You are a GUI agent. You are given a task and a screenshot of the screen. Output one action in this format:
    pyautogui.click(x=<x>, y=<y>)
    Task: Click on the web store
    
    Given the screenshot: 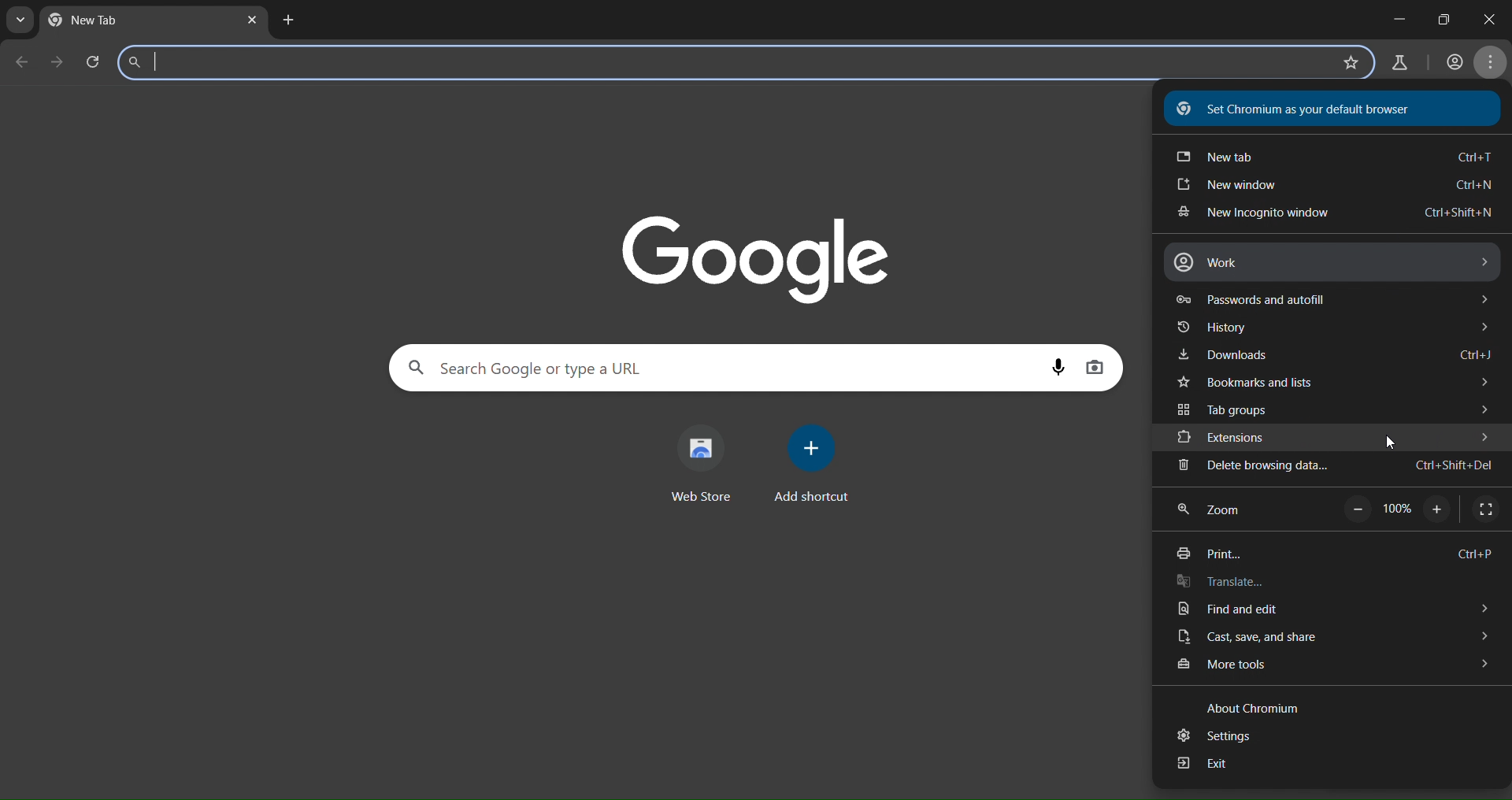 What is the action you would take?
    pyautogui.click(x=701, y=461)
    